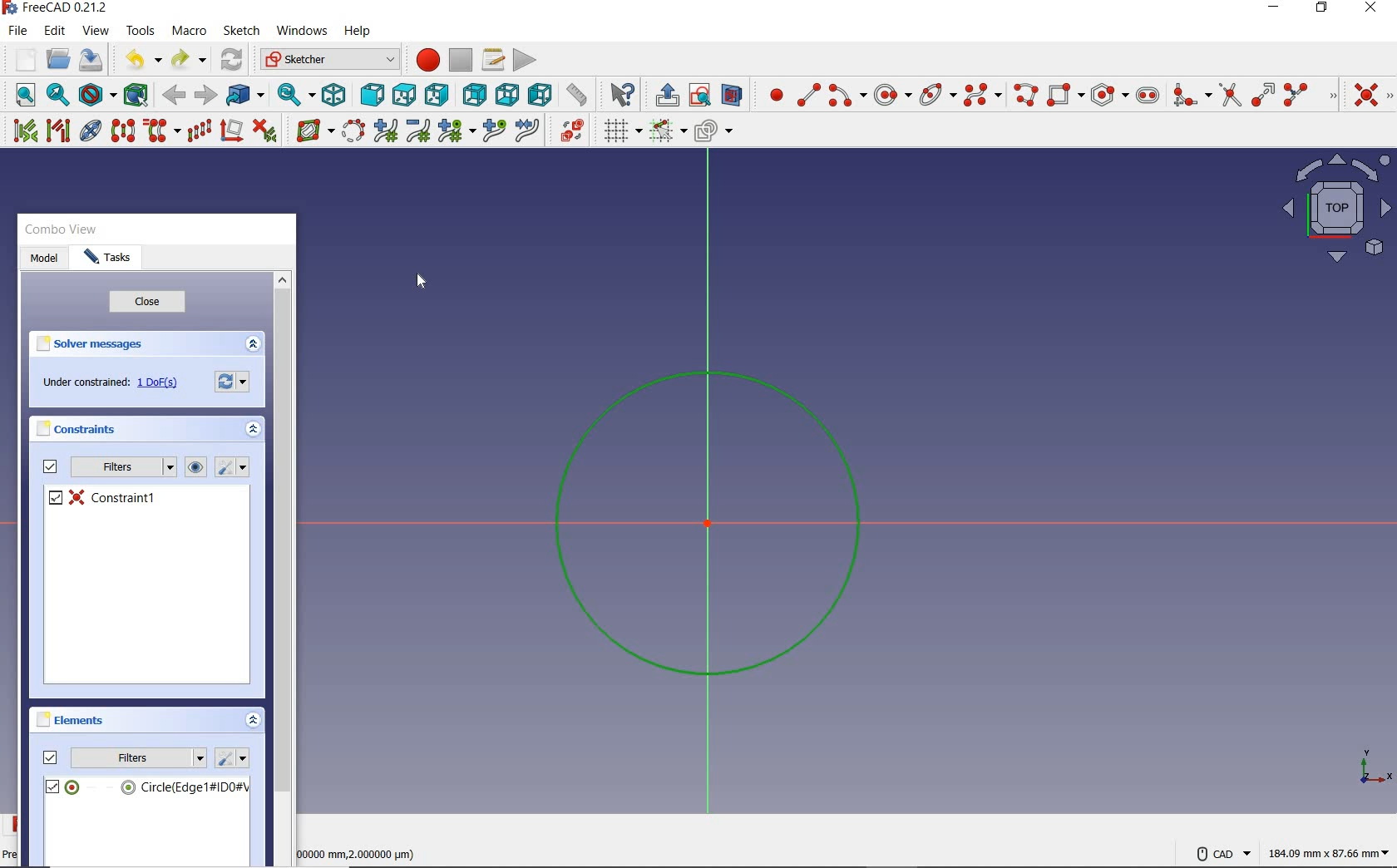 The height and width of the screenshot is (868, 1397). Describe the element at coordinates (404, 93) in the screenshot. I see `top` at that location.